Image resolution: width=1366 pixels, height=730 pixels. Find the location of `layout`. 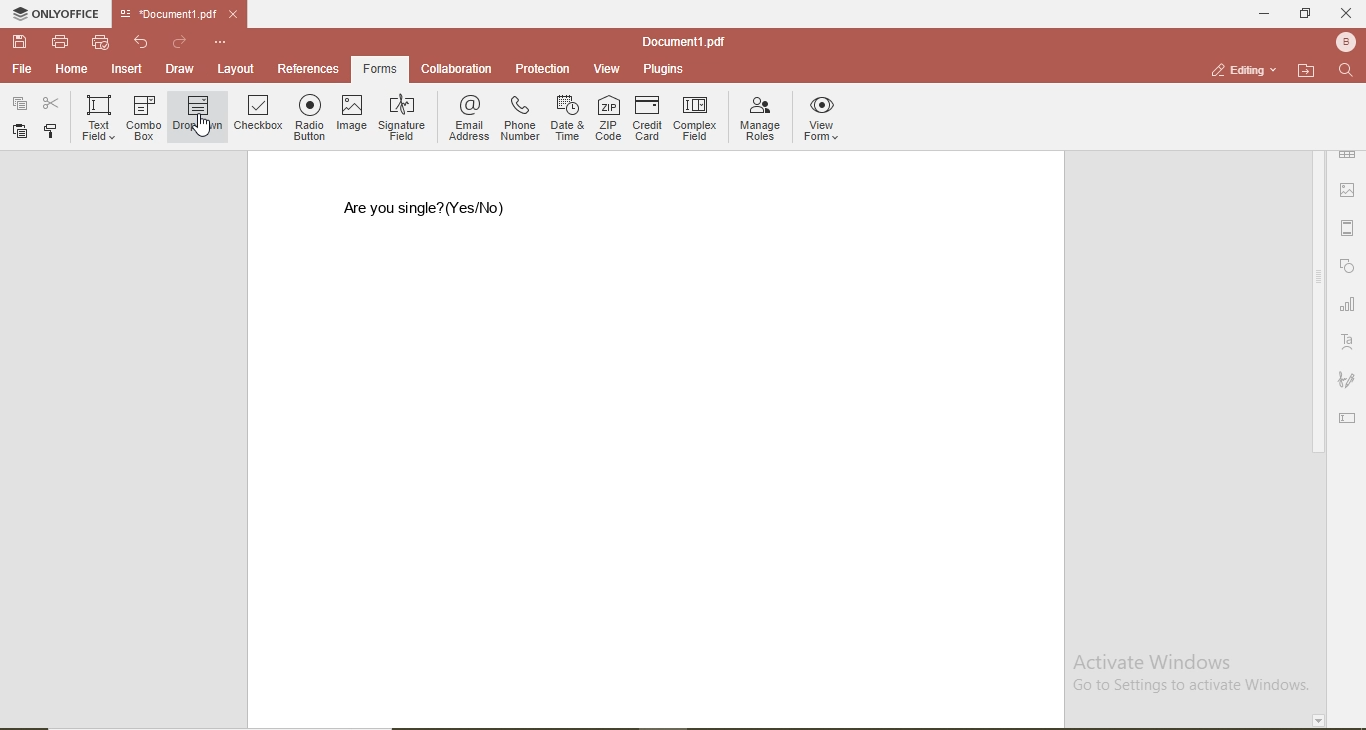

layout is located at coordinates (233, 69).